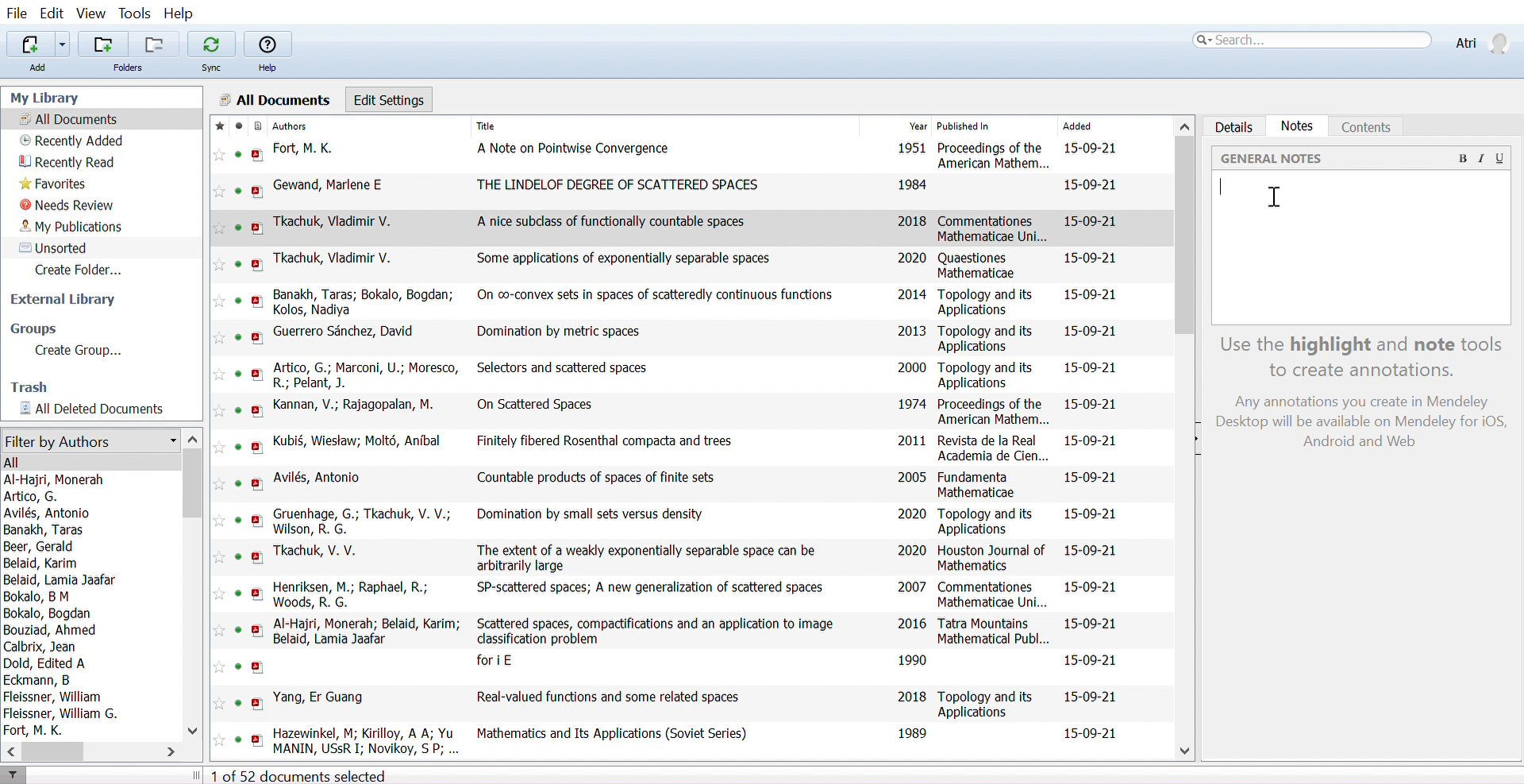 This screenshot has width=1524, height=784. What do you see at coordinates (256, 264) in the screenshot?
I see `open PDF` at bounding box center [256, 264].